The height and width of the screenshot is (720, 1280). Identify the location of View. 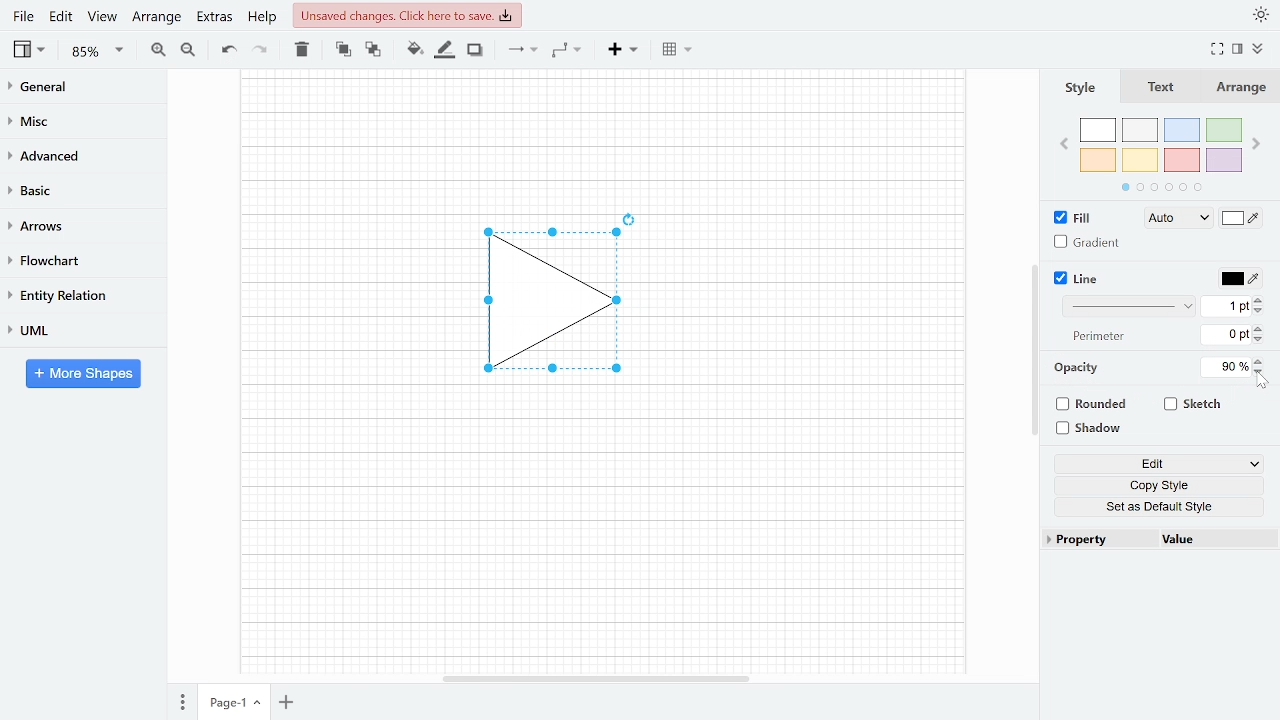
(102, 16).